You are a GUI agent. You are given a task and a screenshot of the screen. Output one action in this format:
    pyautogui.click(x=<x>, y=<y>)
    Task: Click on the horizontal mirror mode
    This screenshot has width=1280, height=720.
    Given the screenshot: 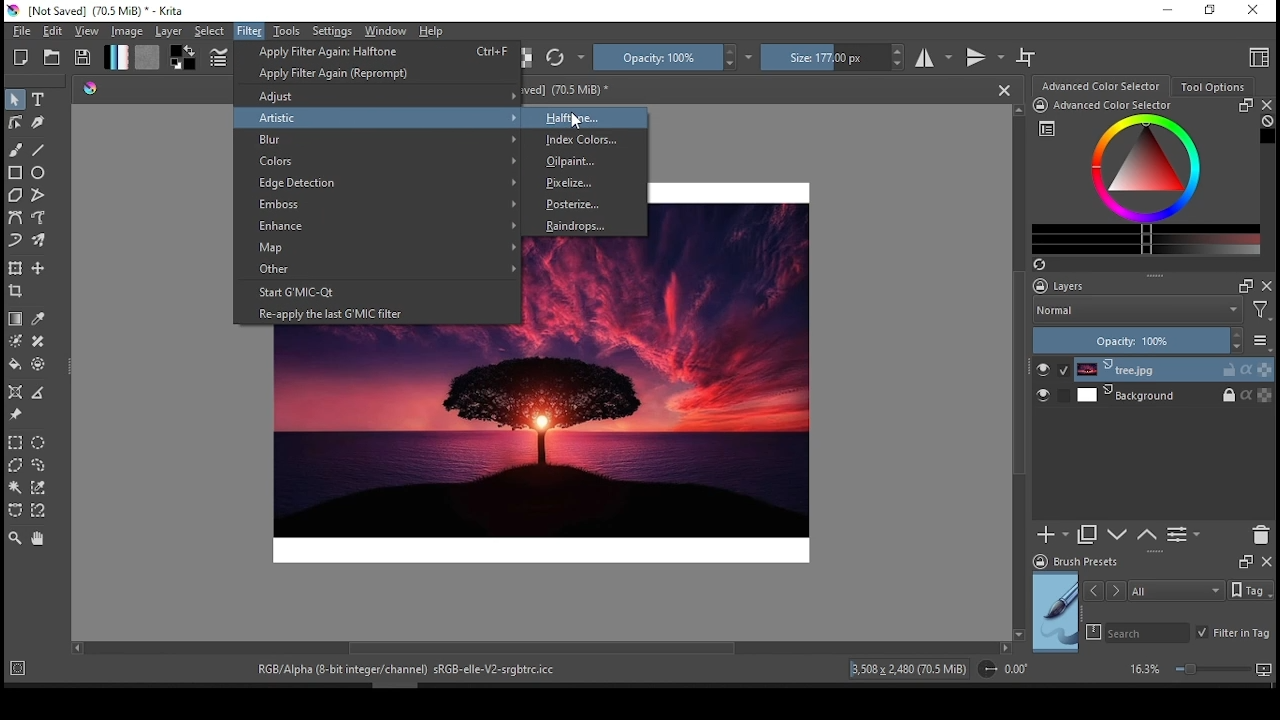 What is the action you would take?
    pyautogui.click(x=933, y=56)
    